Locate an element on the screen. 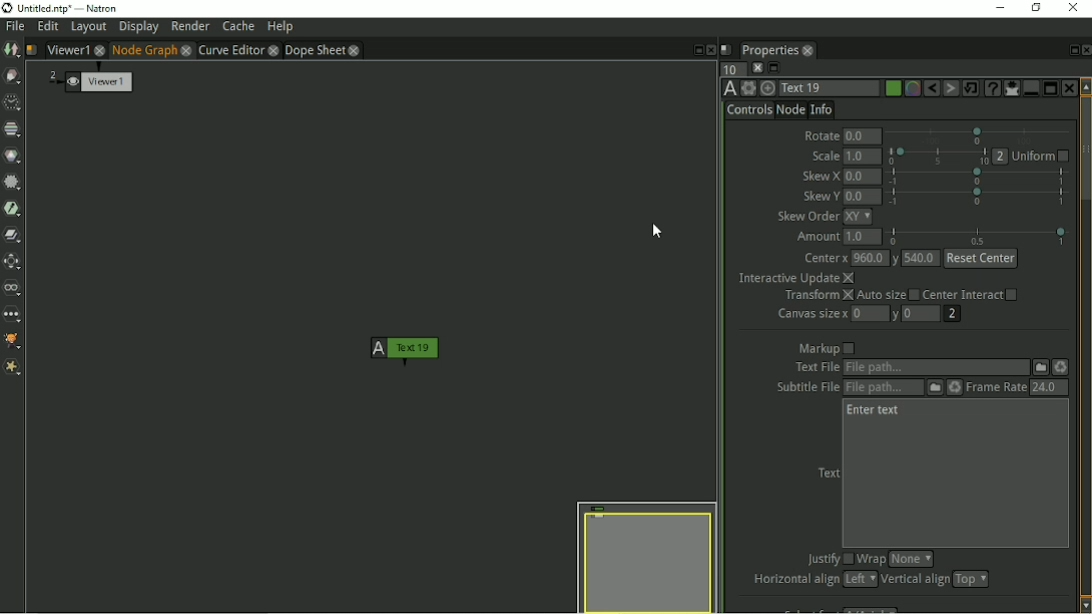  Choose color is located at coordinates (892, 88).